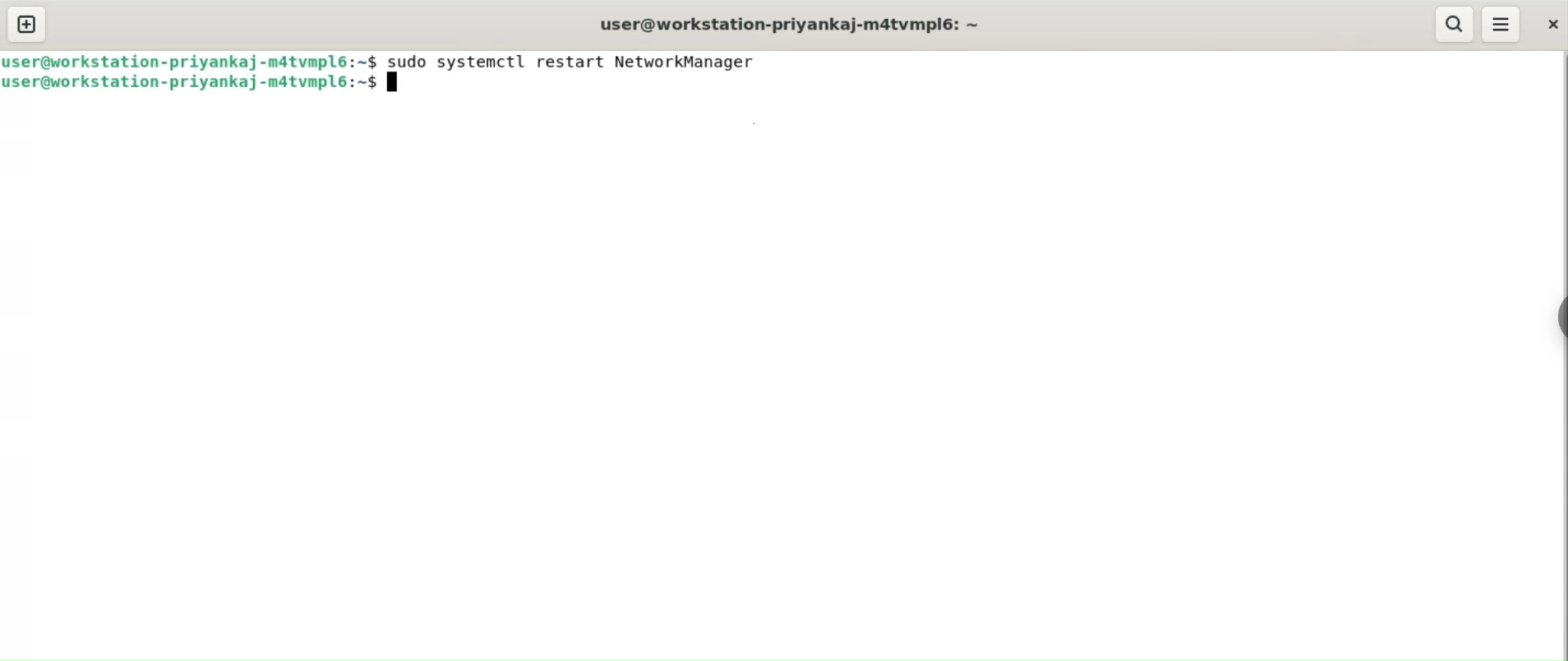 The height and width of the screenshot is (661, 1568). I want to click on user@workstation-priyankaj-m4tvmlp6:~$, so click(190, 84).